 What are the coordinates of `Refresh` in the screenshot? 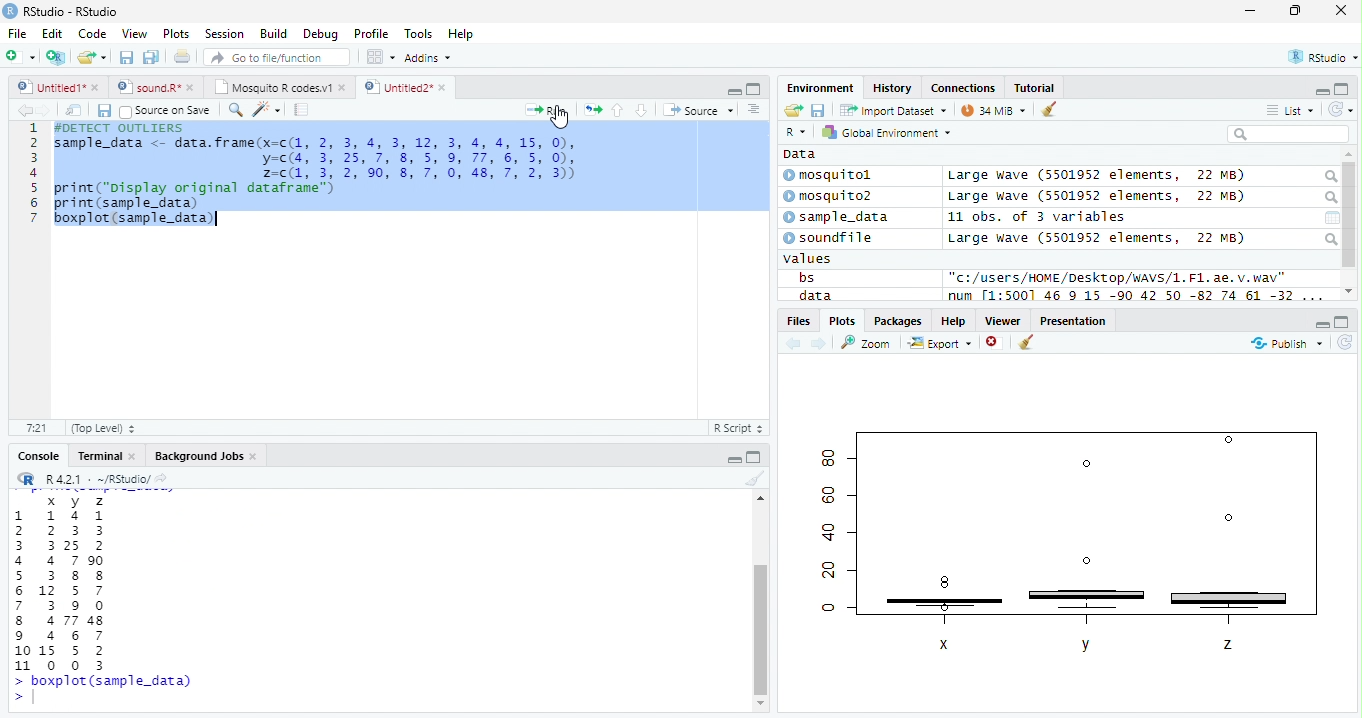 It's located at (1344, 344).